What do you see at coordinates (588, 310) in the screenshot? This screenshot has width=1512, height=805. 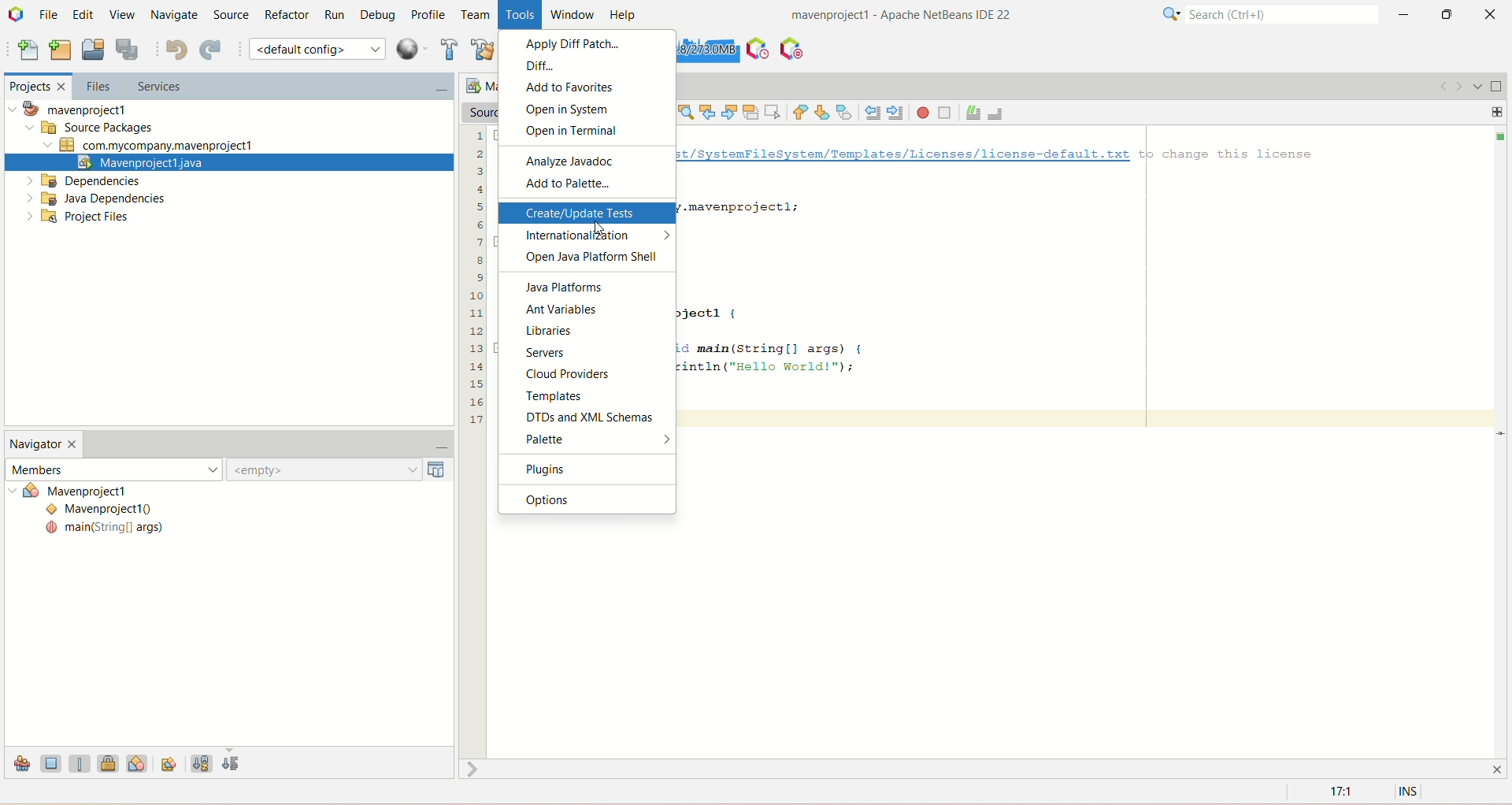 I see `ant variables` at bounding box center [588, 310].